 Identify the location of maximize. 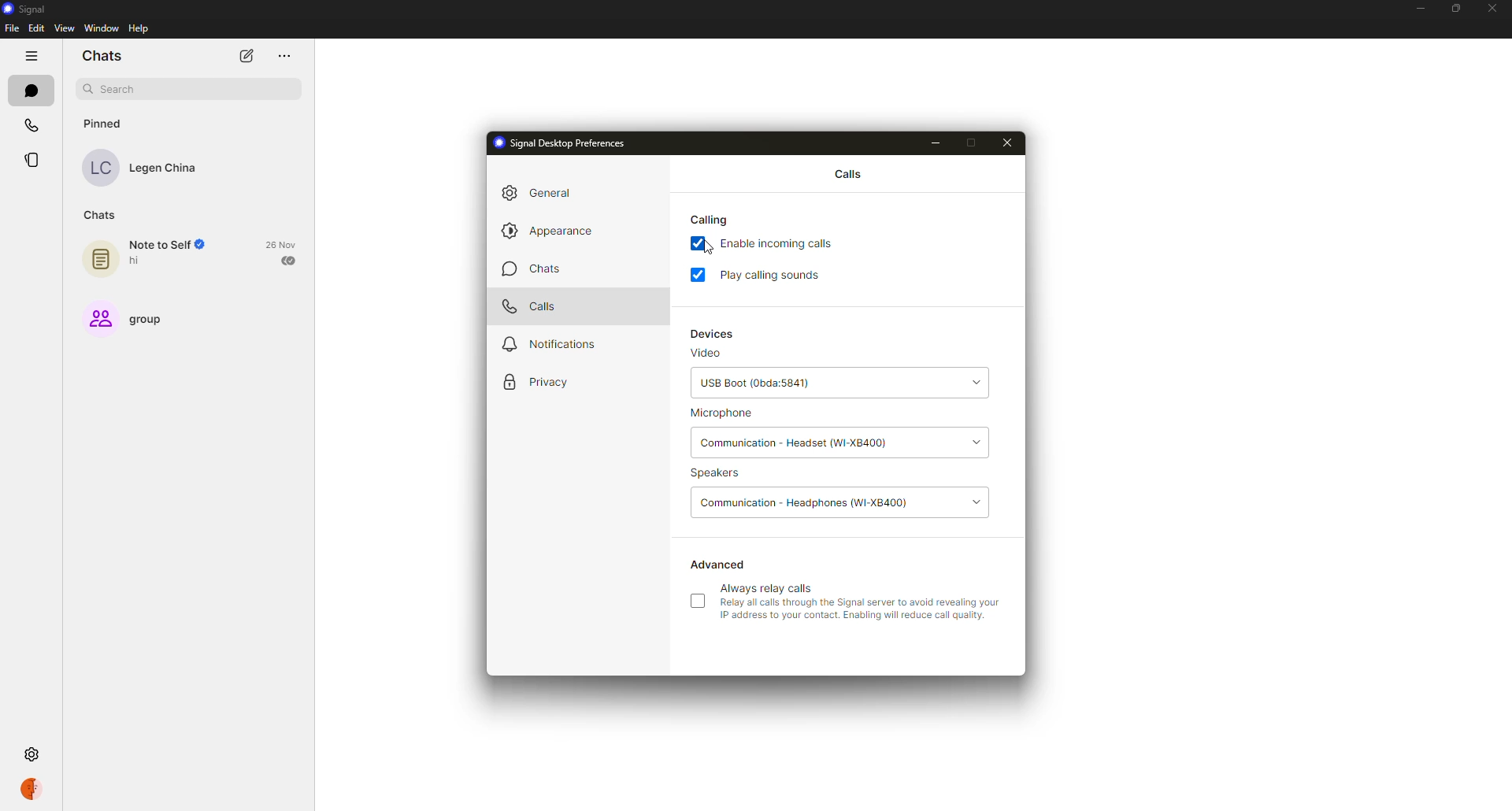
(975, 142).